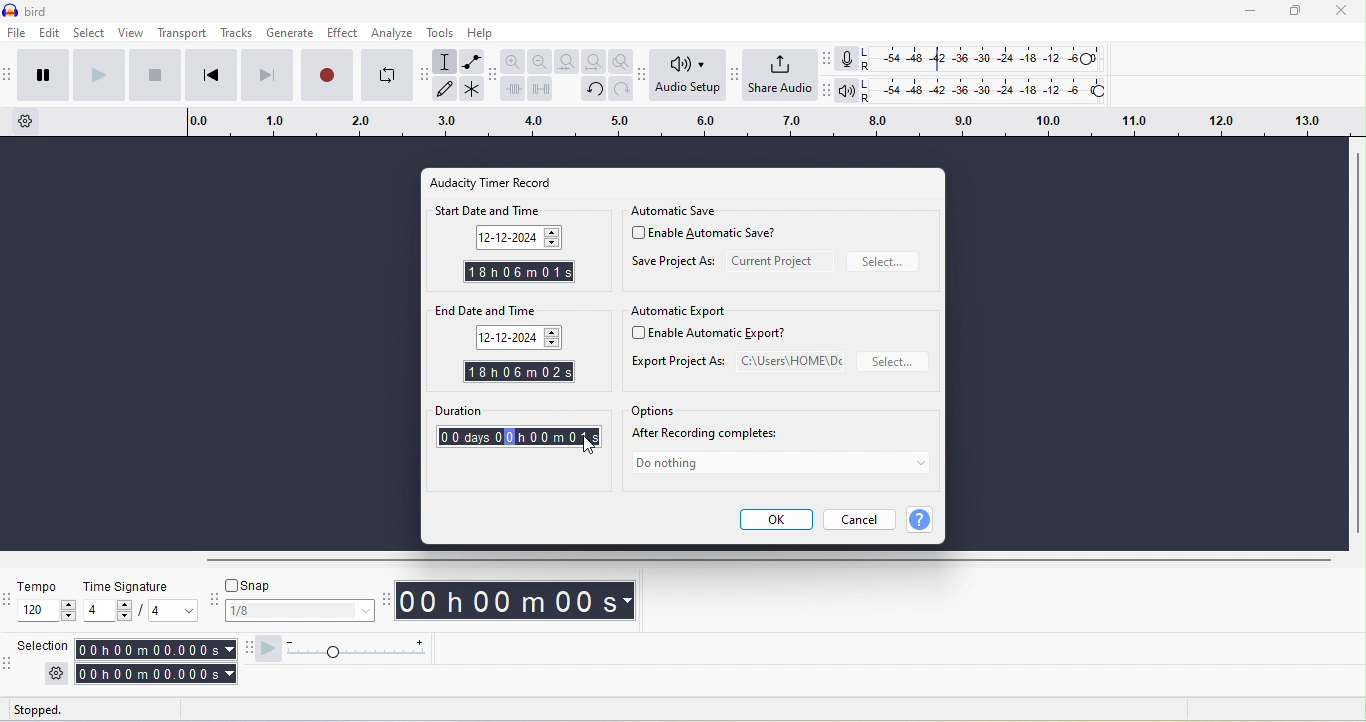 Image resolution: width=1366 pixels, height=722 pixels. Describe the element at coordinates (775, 520) in the screenshot. I see `ok` at that location.